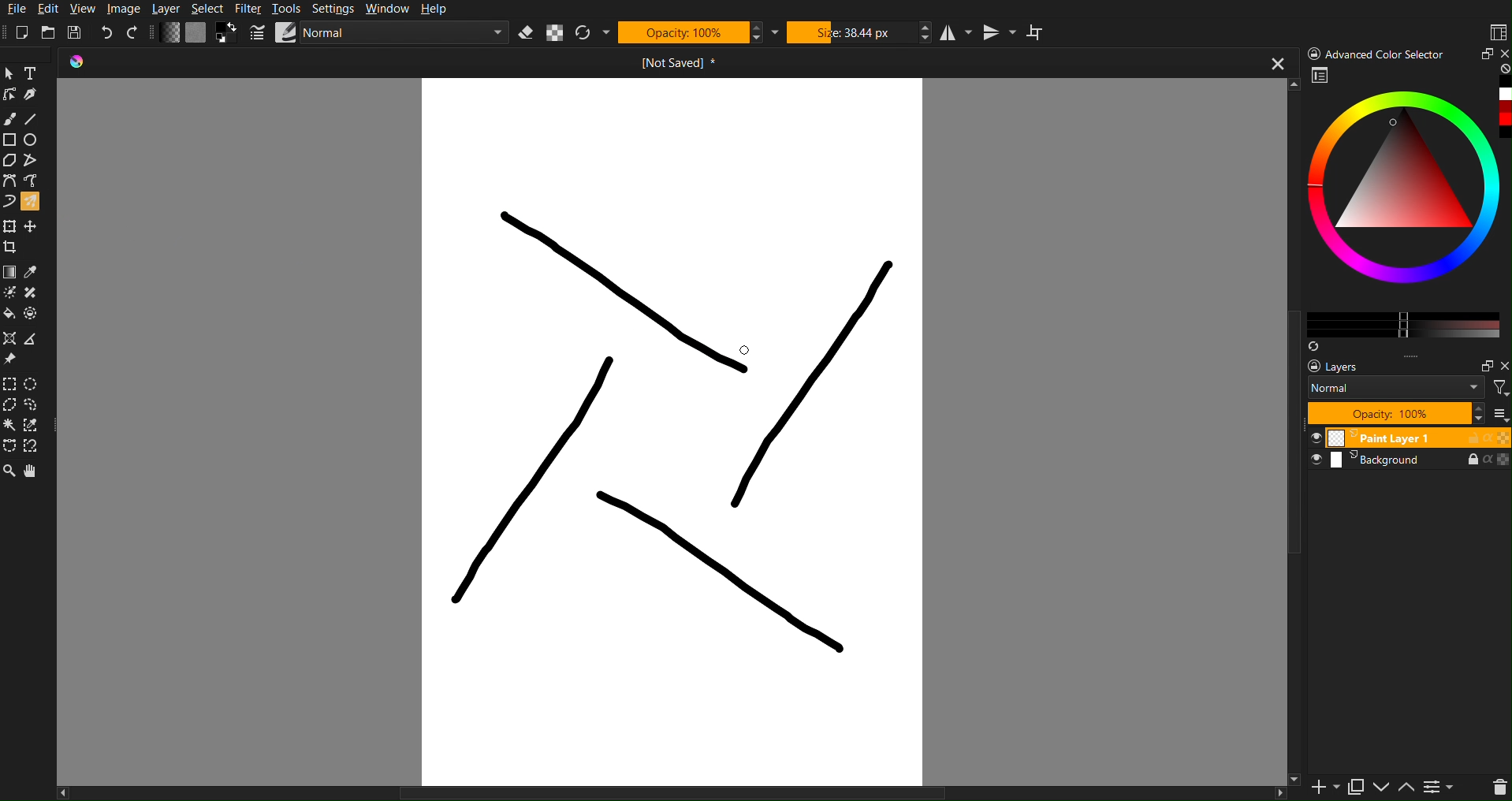 Image resolution: width=1512 pixels, height=801 pixels. Describe the element at coordinates (38, 425) in the screenshot. I see `Similar color selection Tool` at that location.